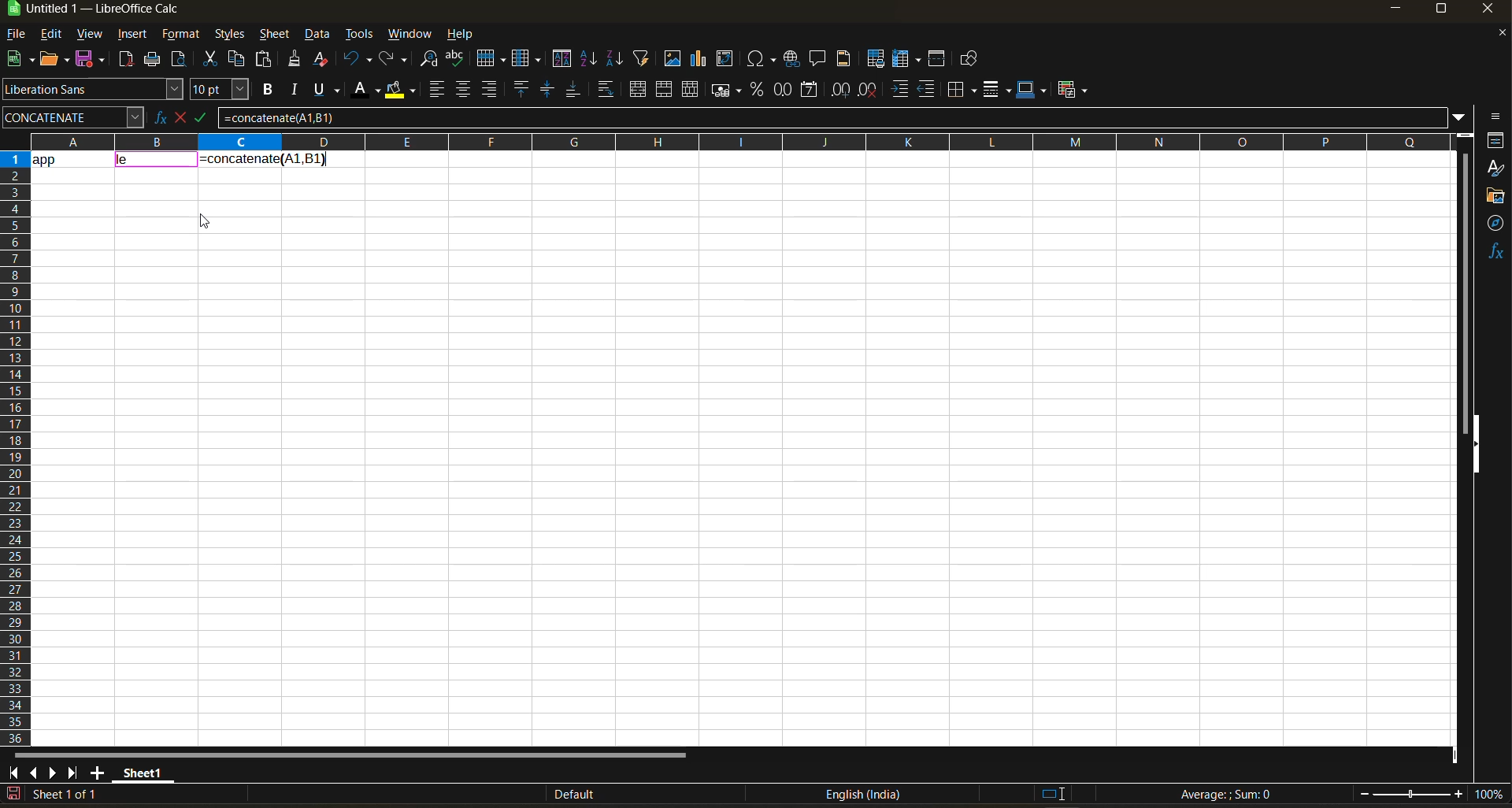 The height and width of the screenshot is (808, 1512). I want to click on borders, so click(962, 90).